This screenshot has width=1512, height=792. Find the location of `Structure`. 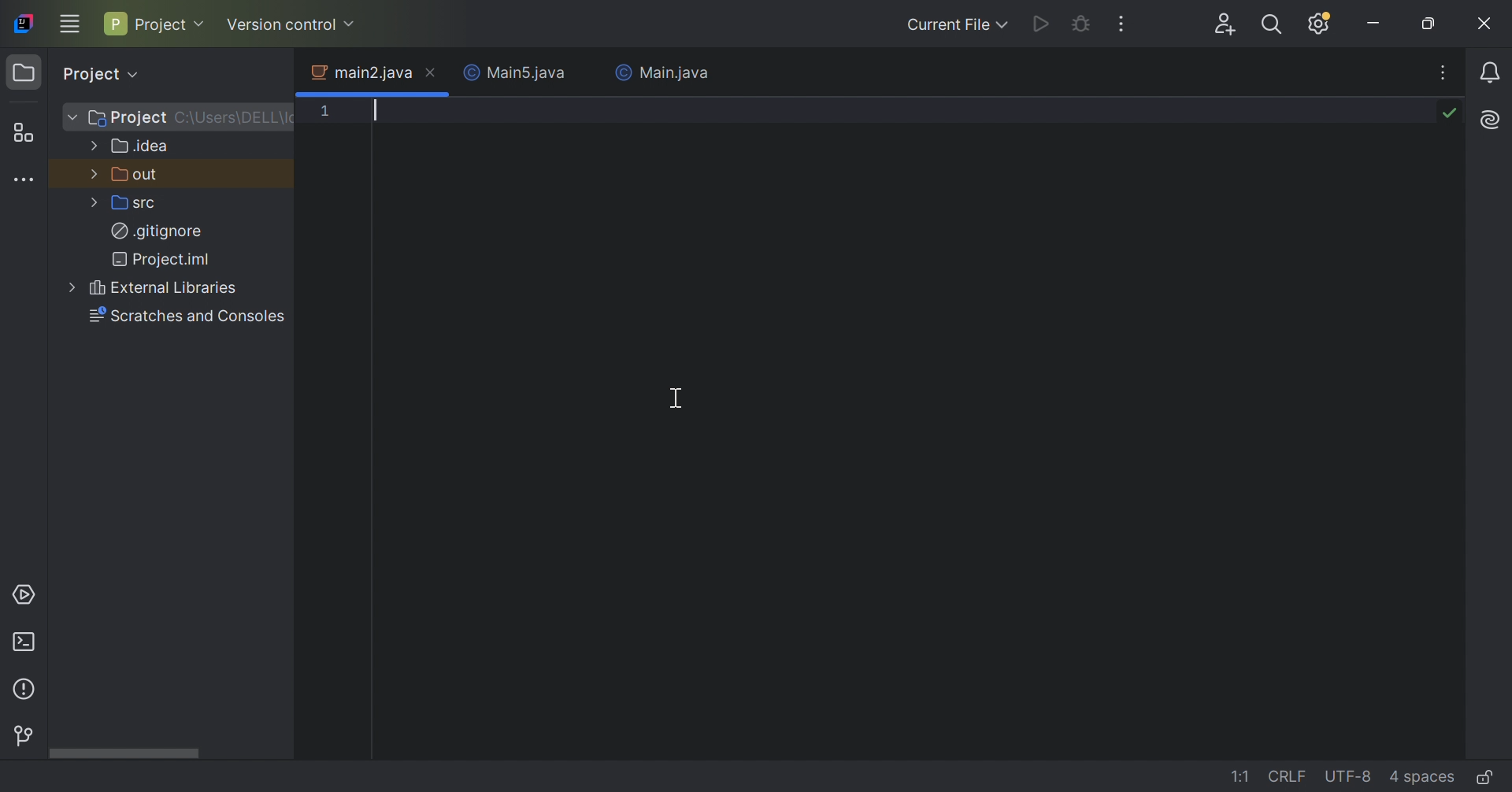

Structure is located at coordinates (31, 133).